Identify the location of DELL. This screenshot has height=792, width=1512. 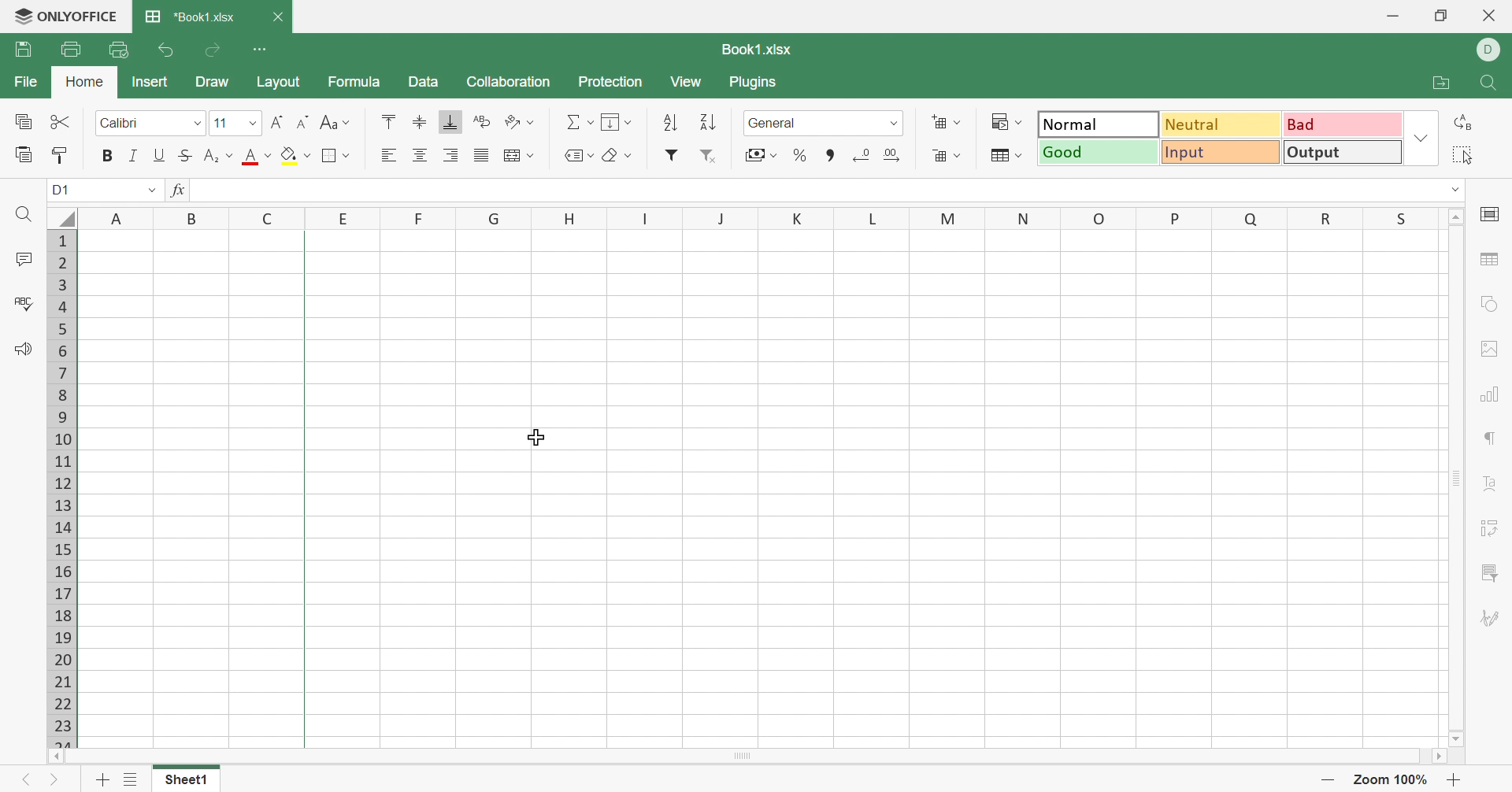
(1491, 50).